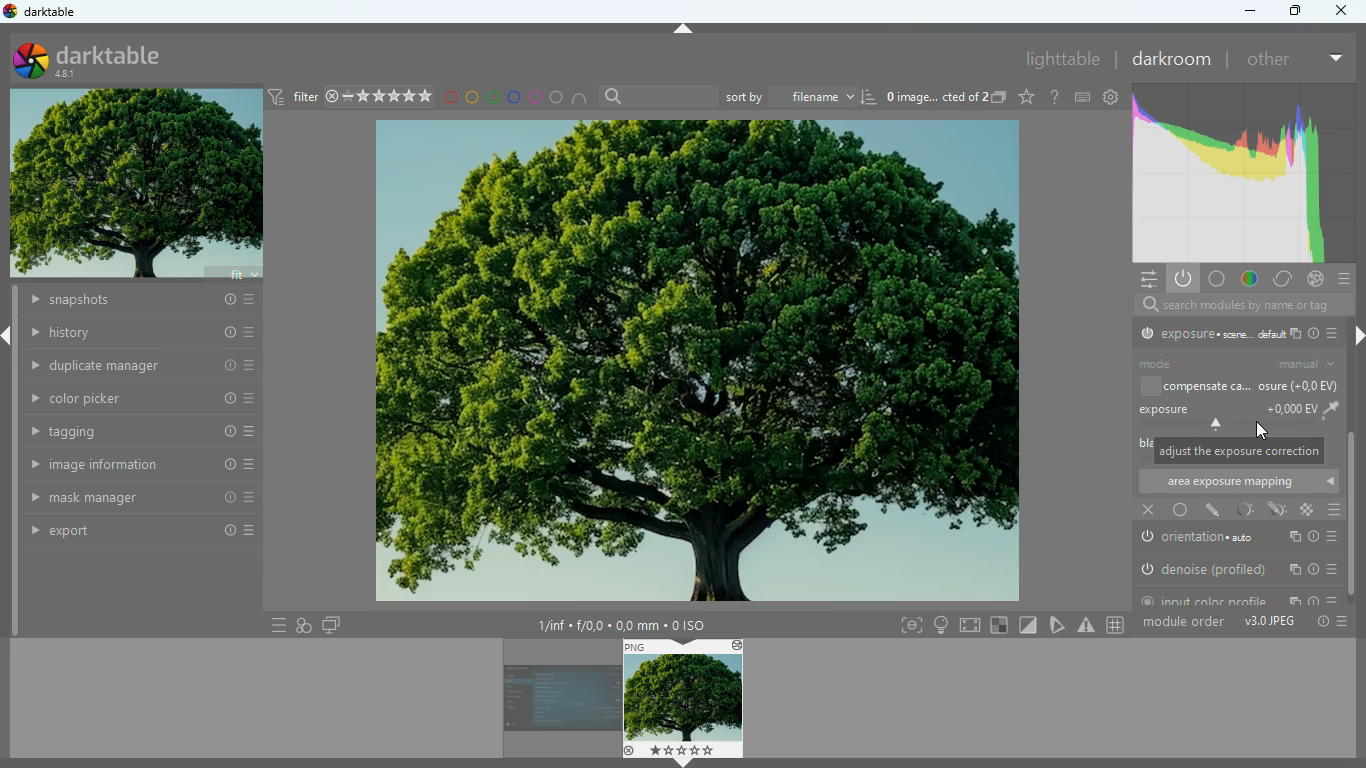 This screenshot has width=1366, height=768. I want to click on settings, so click(1055, 100).